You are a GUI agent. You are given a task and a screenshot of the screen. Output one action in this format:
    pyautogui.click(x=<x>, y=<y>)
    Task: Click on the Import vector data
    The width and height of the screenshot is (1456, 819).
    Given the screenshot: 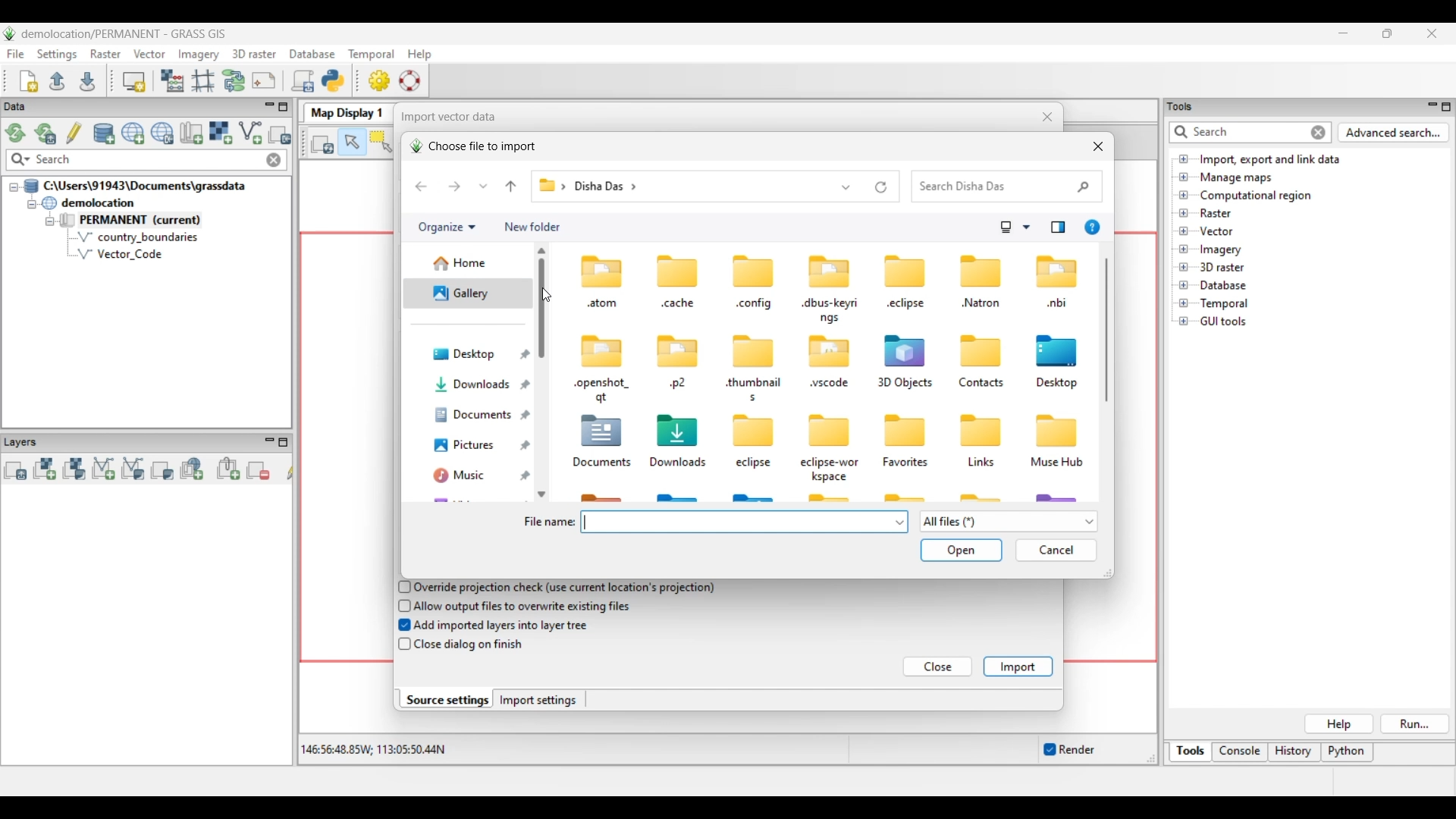 What is the action you would take?
    pyautogui.click(x=454, y=117)
    